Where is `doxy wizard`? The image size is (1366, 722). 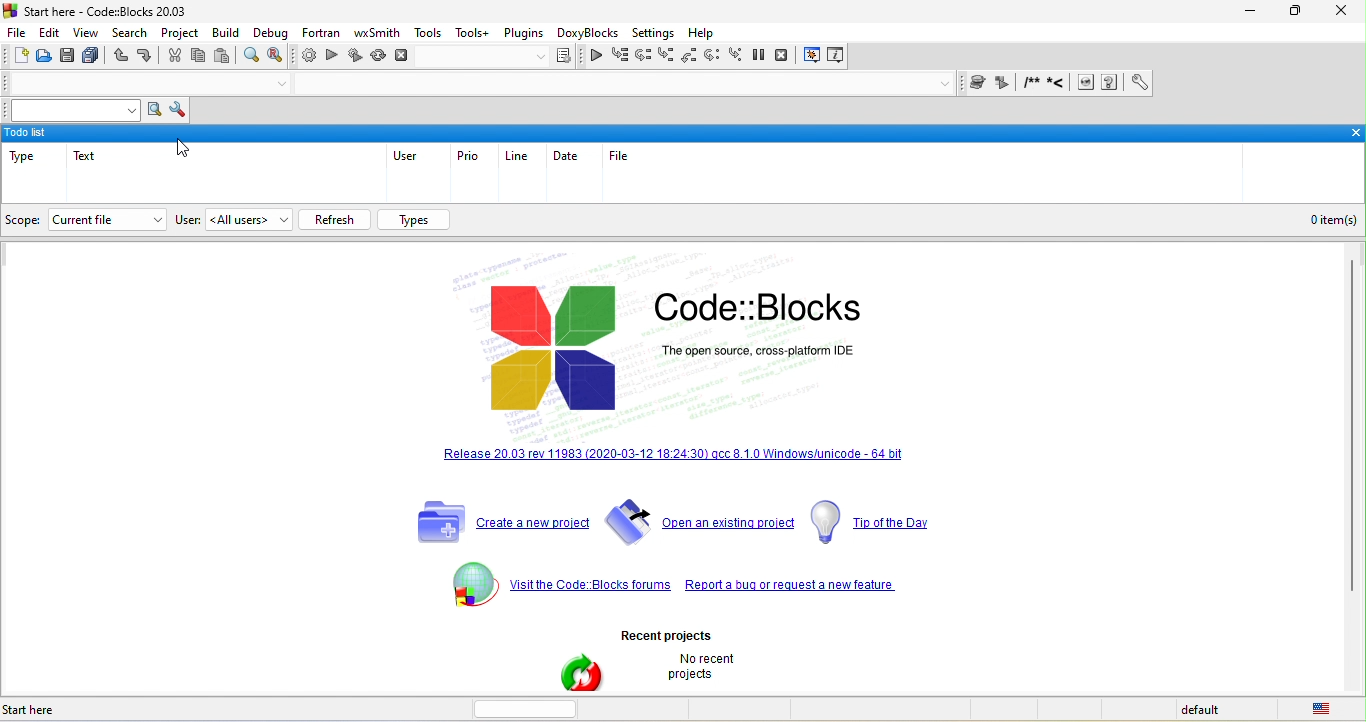 doxy wizard is located at coordinates (981, 83).